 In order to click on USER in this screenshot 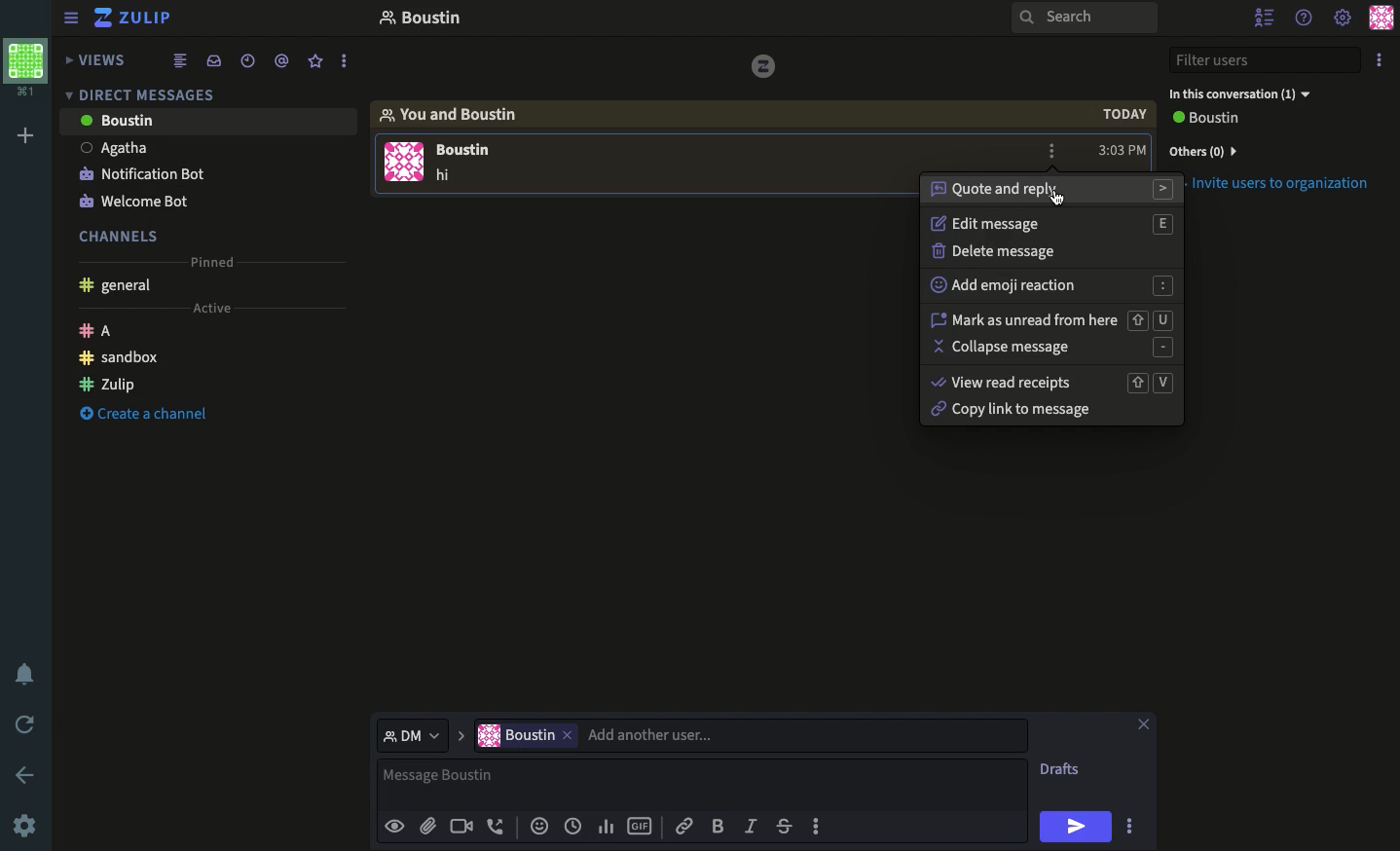, I will do `click(471, 152)`.